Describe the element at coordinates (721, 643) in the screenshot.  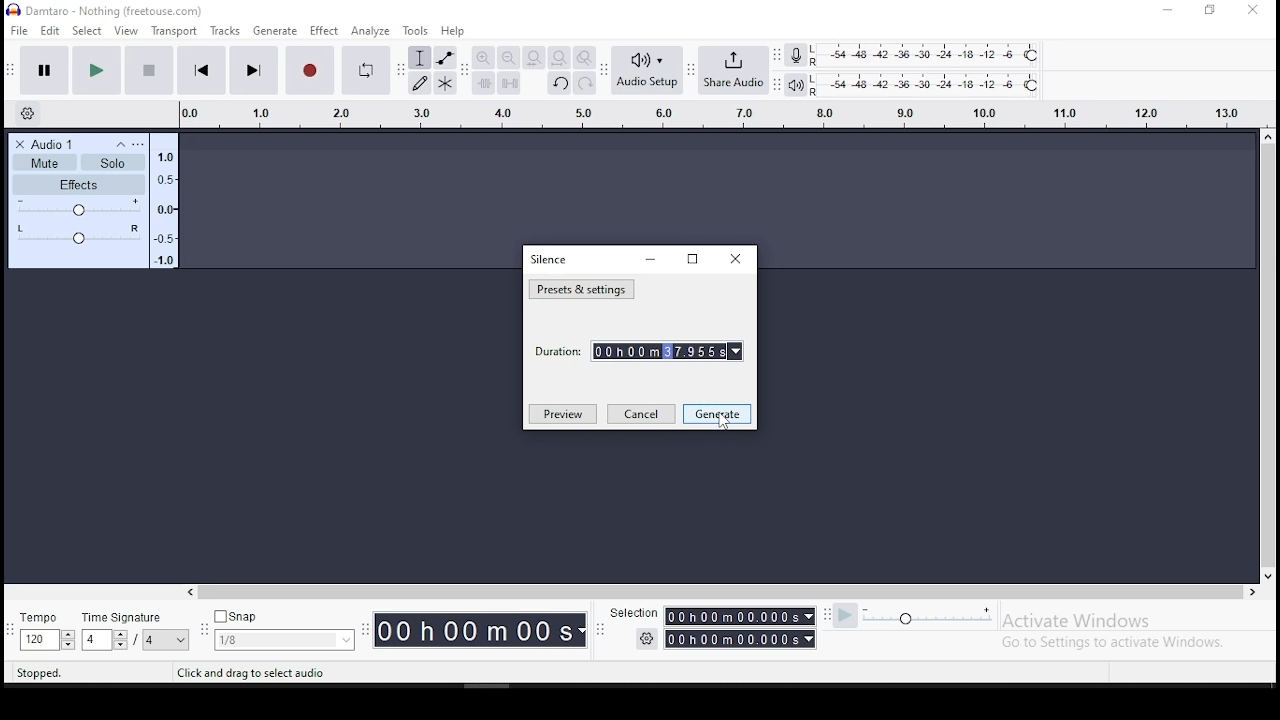
I see `Timer with settings` at that location.